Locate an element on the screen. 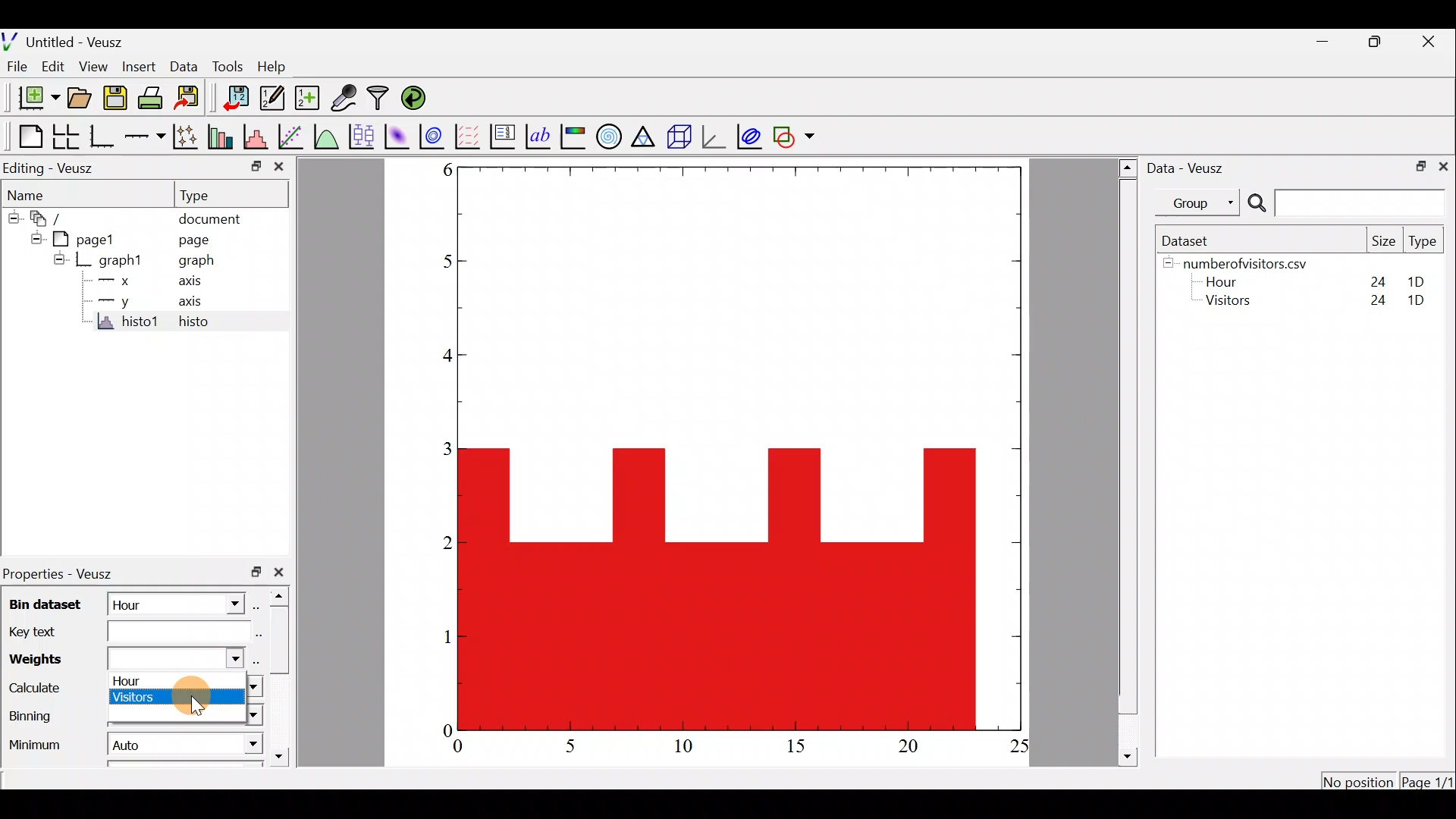  close is located at coordinates (279, 168).